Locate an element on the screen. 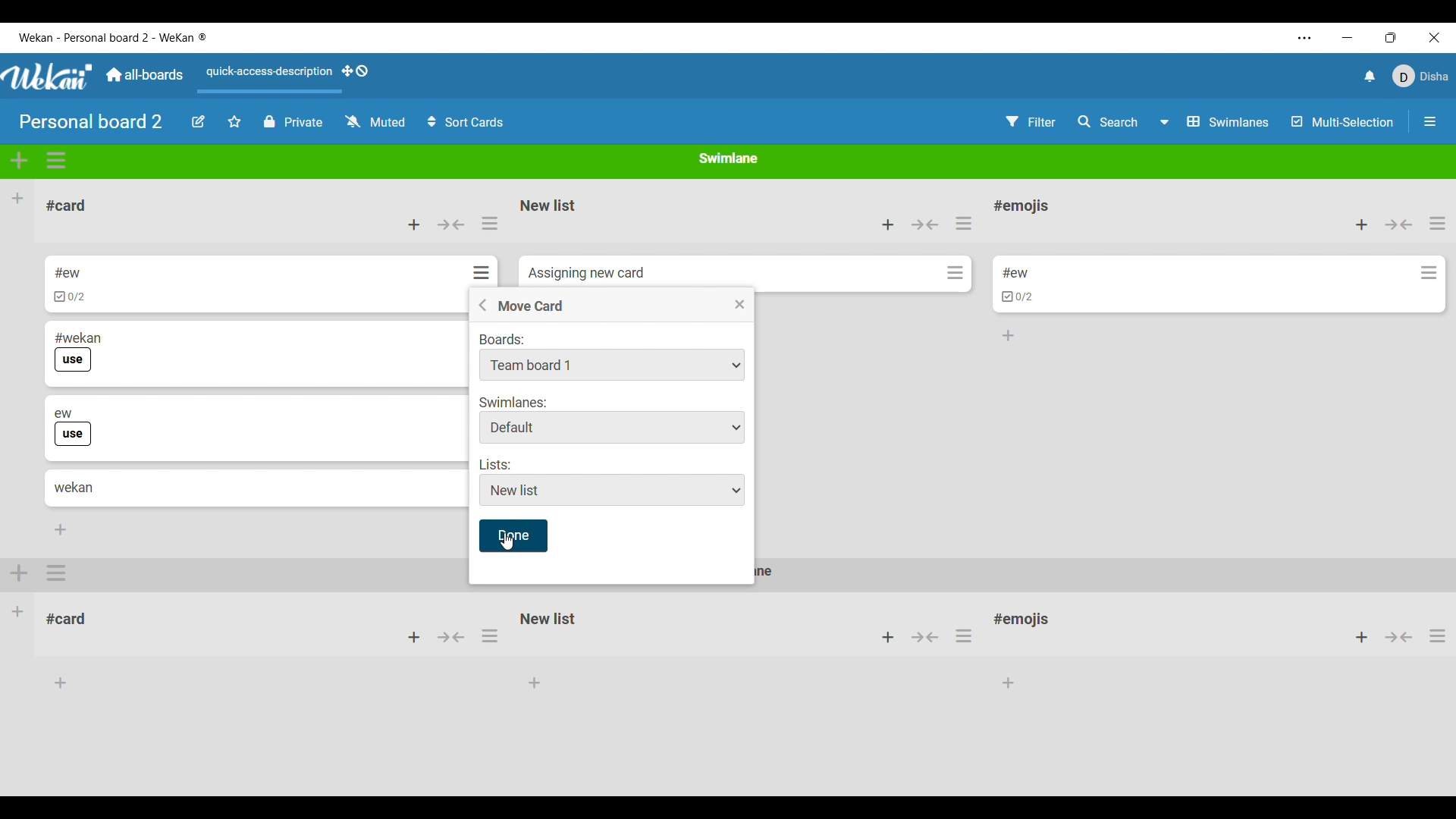 The width and height of the screenshot is (1456, 819). Close interface is located at coordinates (1435, 37).